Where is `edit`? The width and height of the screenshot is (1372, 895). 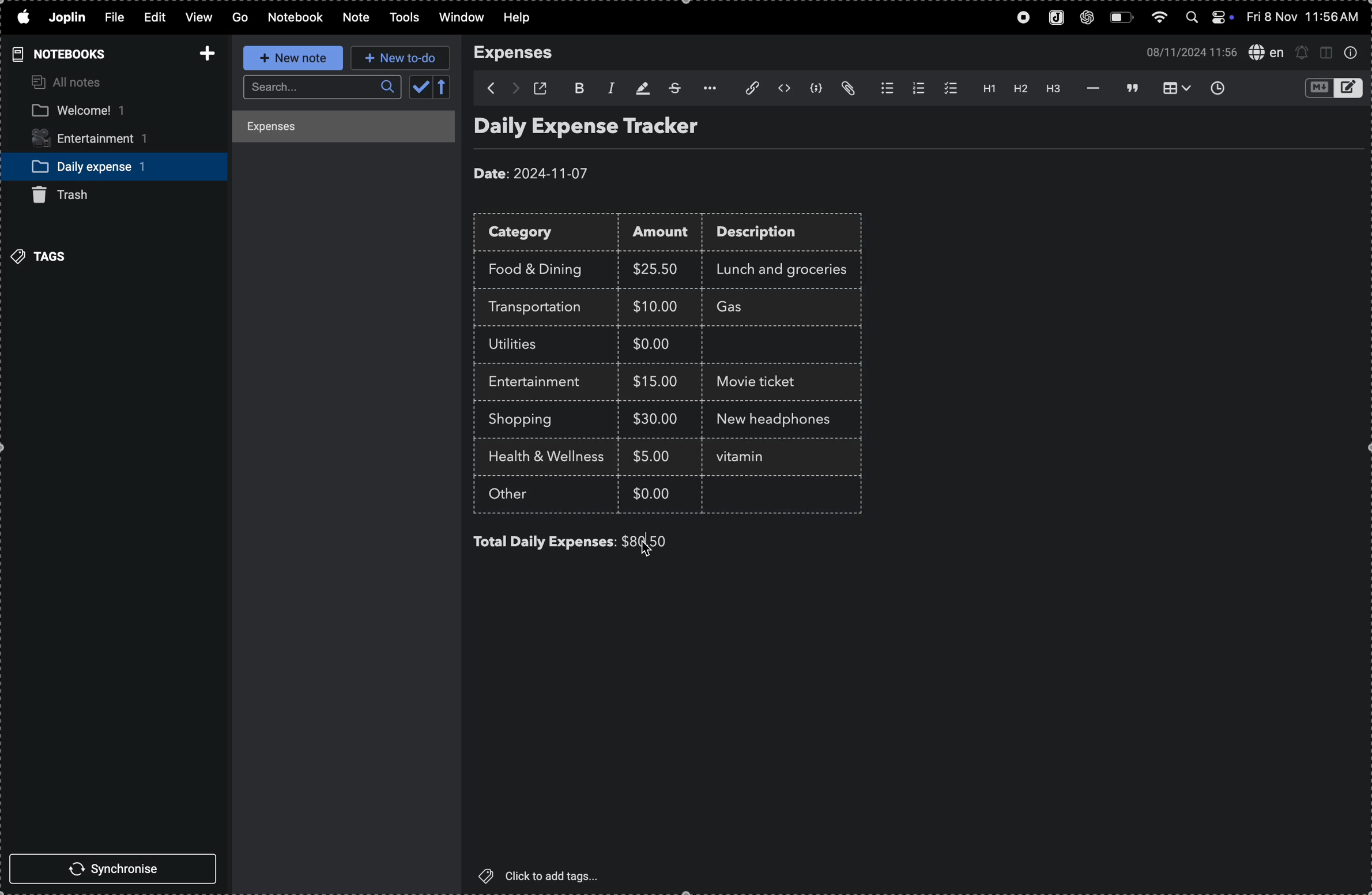 edit is located at coordinates (149, 16).